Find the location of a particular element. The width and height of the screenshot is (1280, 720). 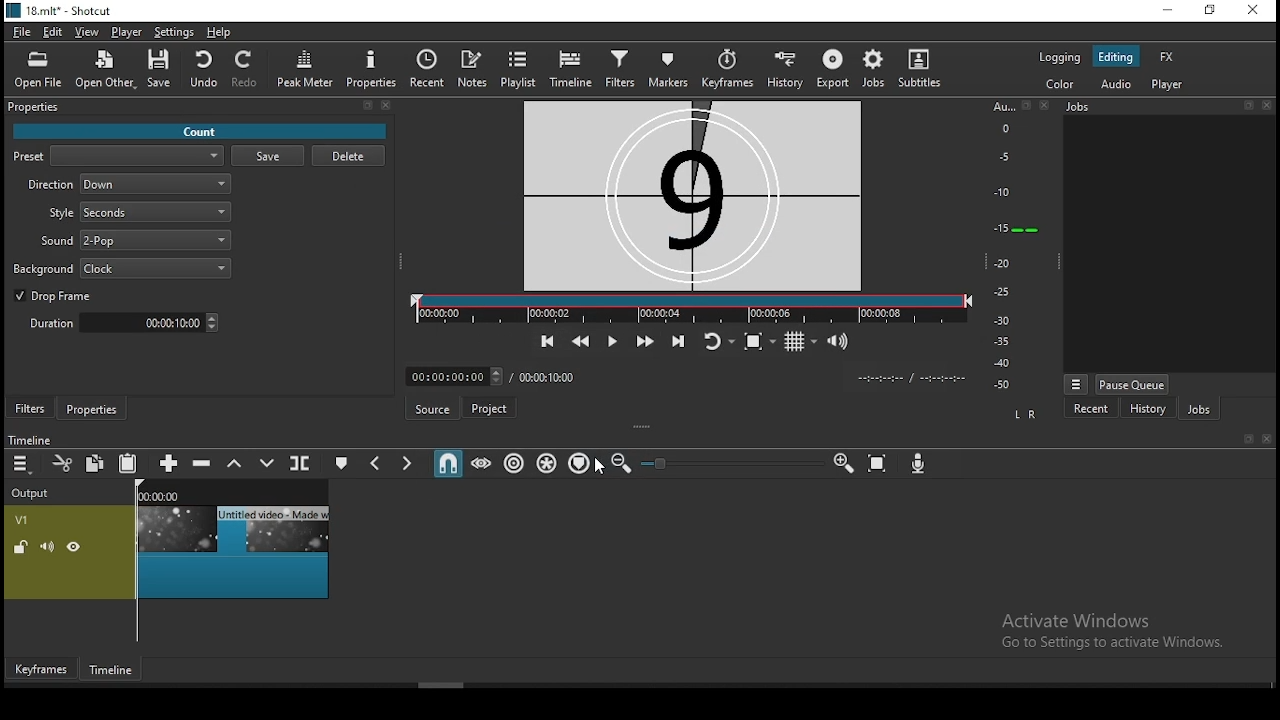

overwrite is located at coordinates (267, 464).